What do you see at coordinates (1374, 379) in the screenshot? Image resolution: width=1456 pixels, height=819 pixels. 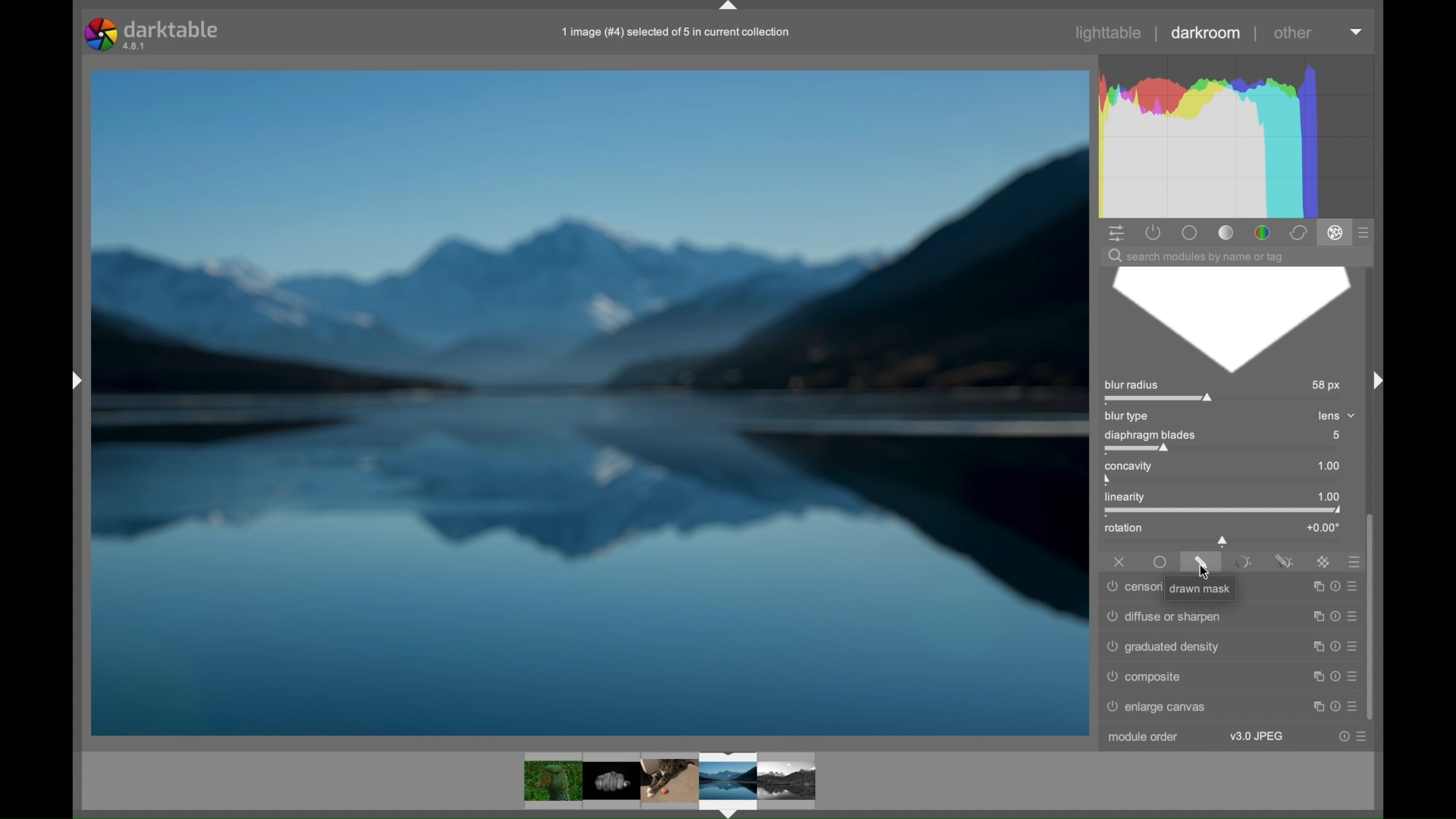 I see `drag handle` at bounding box center [1374, 379].